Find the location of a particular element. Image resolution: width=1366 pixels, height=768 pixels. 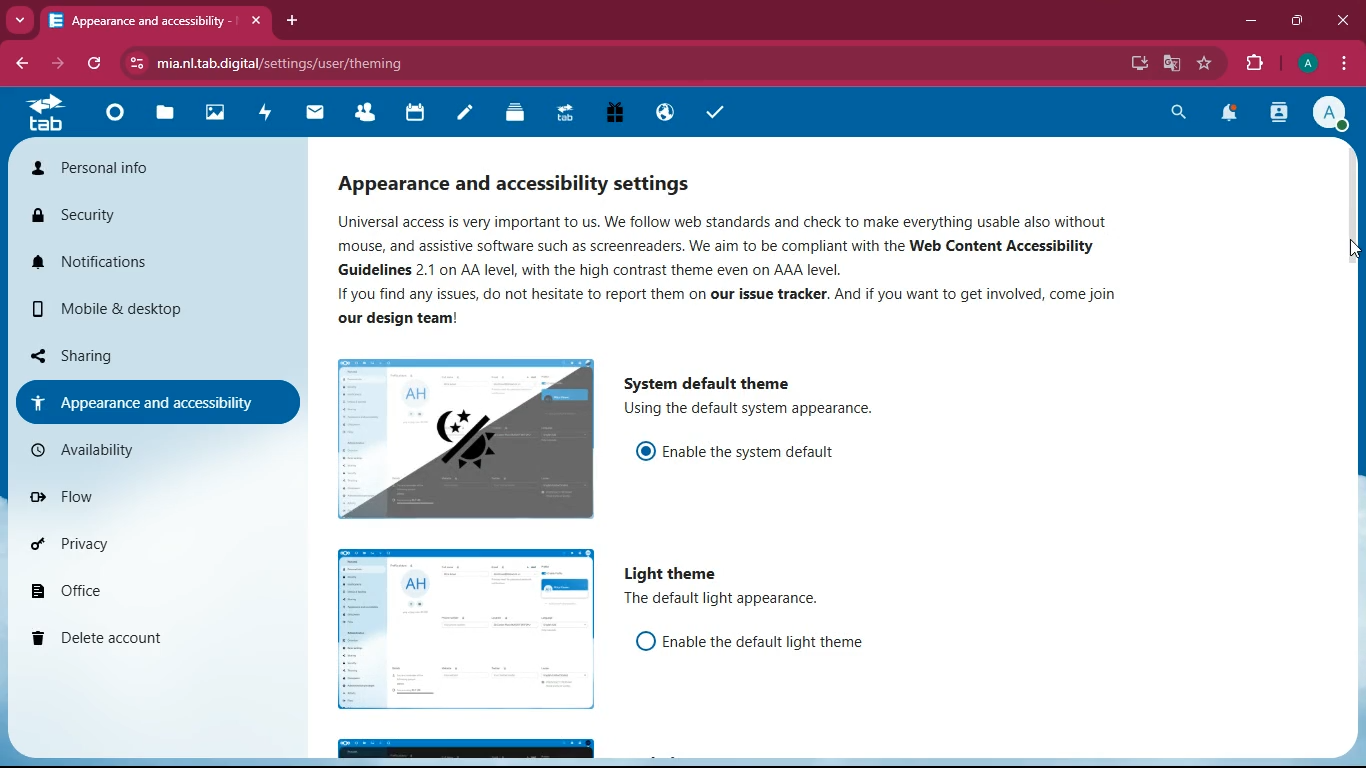

description is located at coordinates (756, 411).